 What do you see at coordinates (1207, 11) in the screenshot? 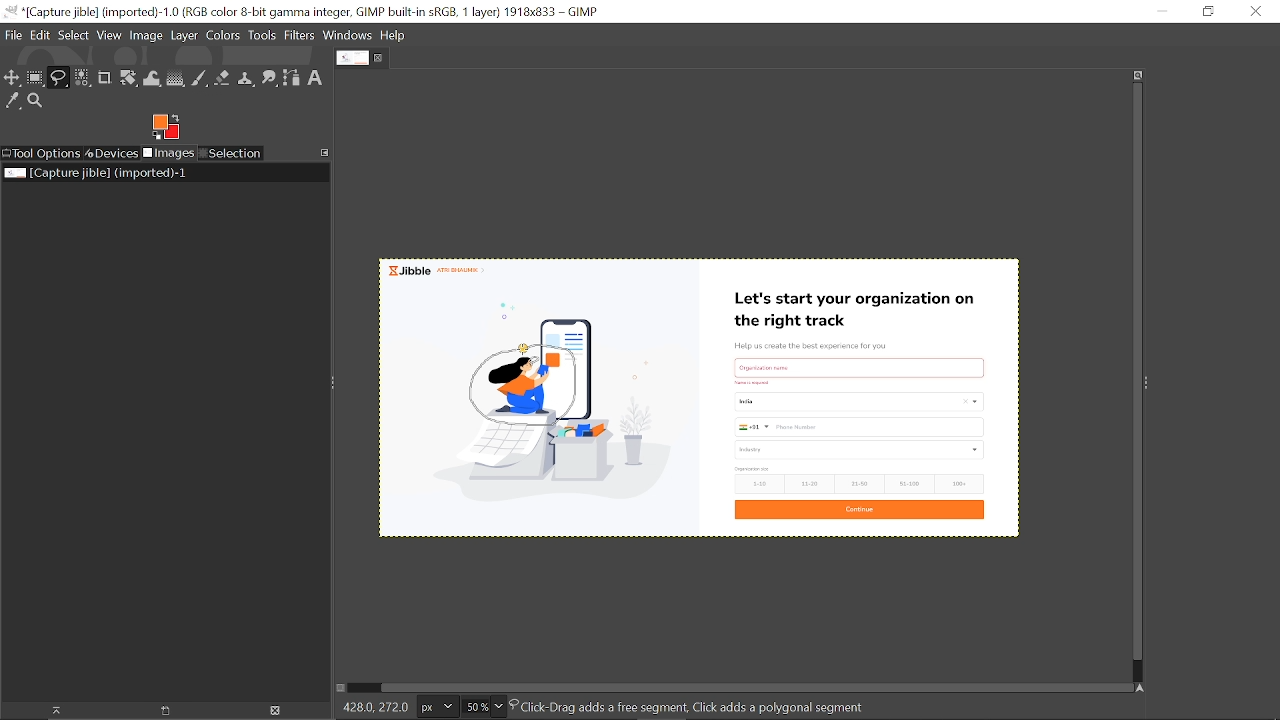
I see `restore down` at bounding box center [1207, 11].